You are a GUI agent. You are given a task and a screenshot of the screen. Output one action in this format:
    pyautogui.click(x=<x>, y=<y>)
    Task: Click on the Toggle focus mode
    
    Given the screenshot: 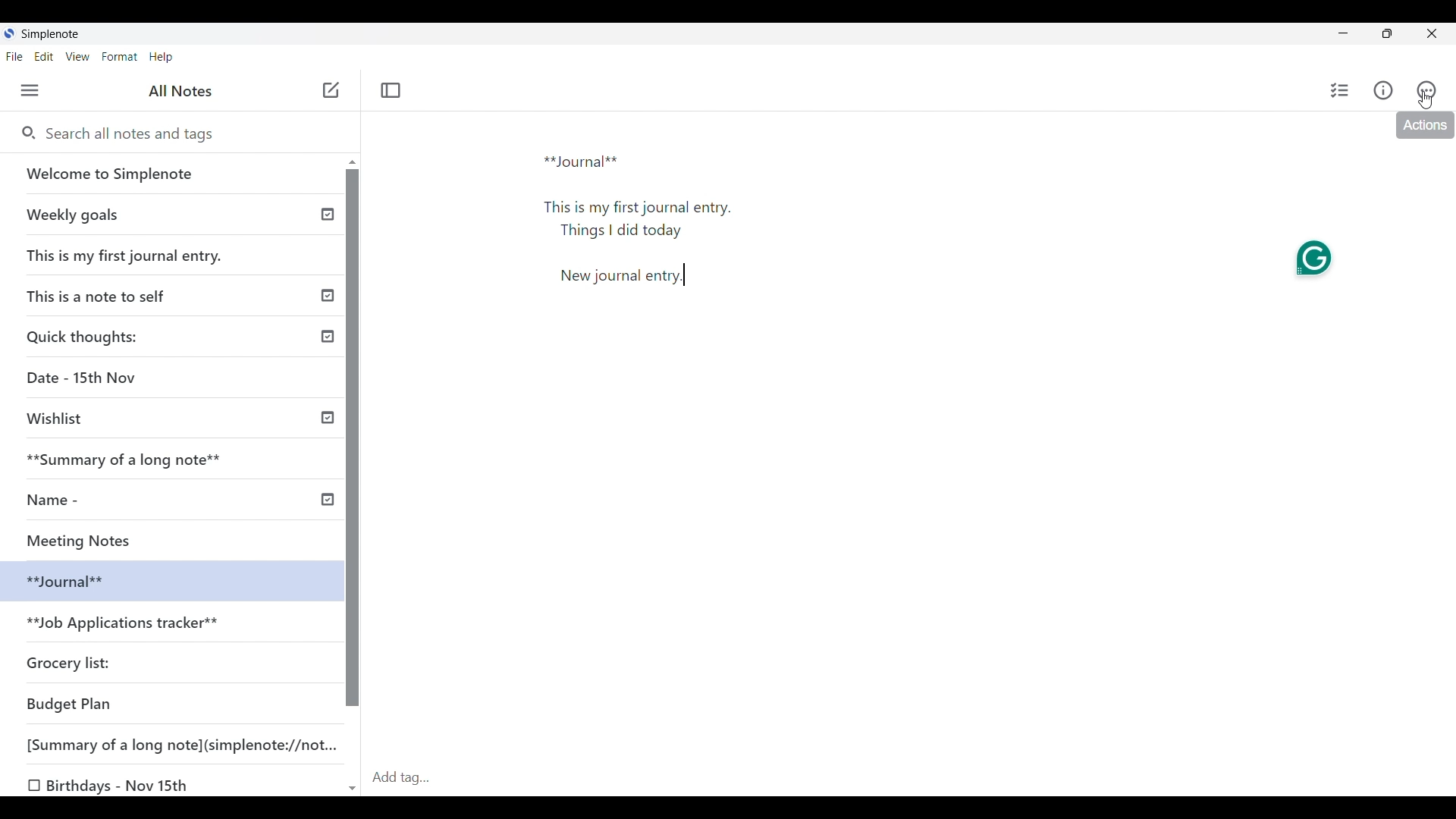 What is the action you would take?
    pyautogui.click(x=391, y=90)
    